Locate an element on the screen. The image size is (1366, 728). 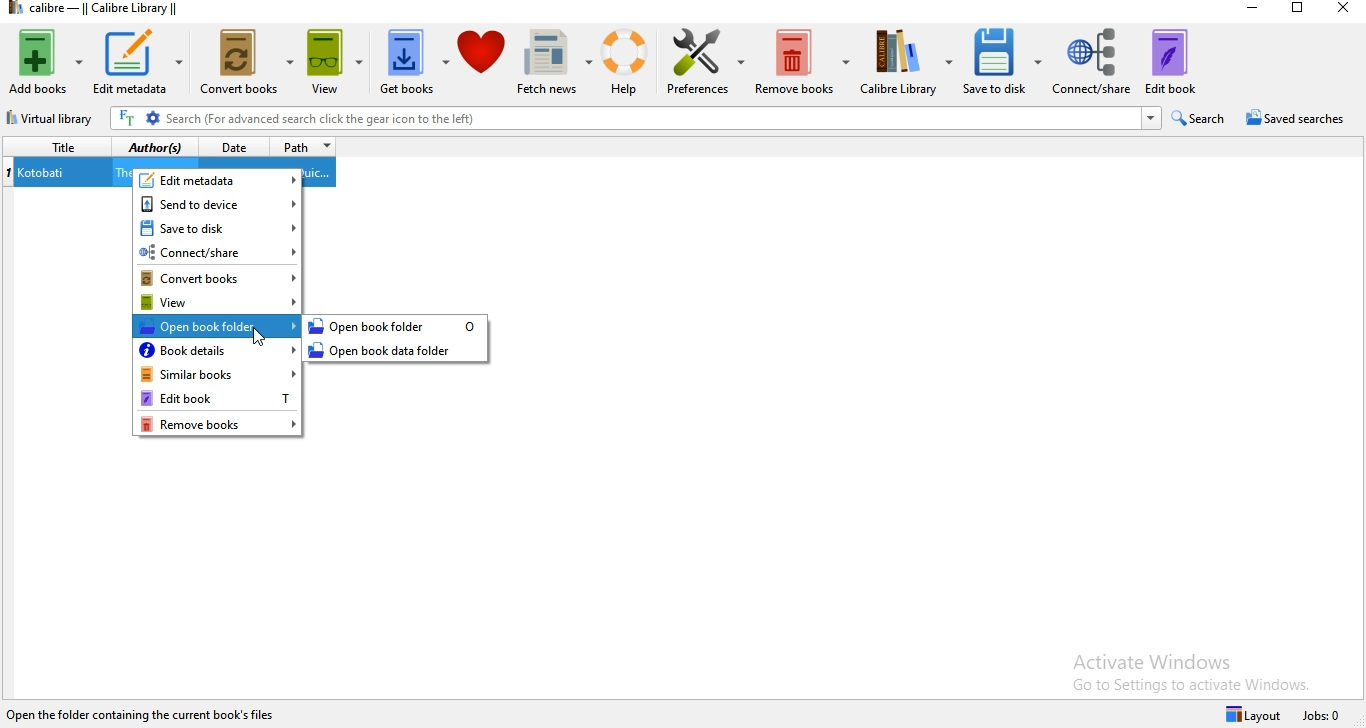
layout is located at coordinates (1250, 713).